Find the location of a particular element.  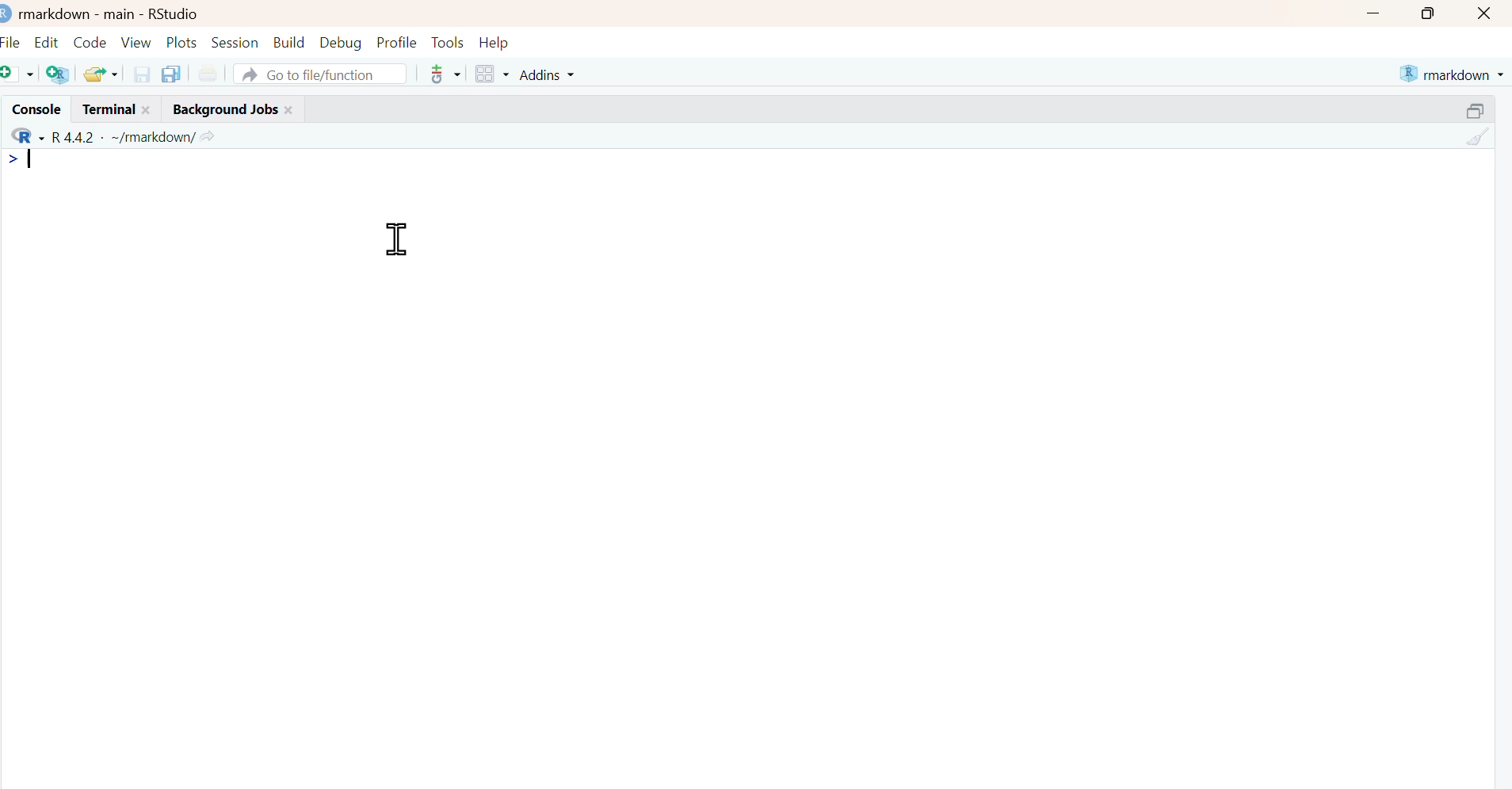

maximize is located at coordinates (1434, 13).